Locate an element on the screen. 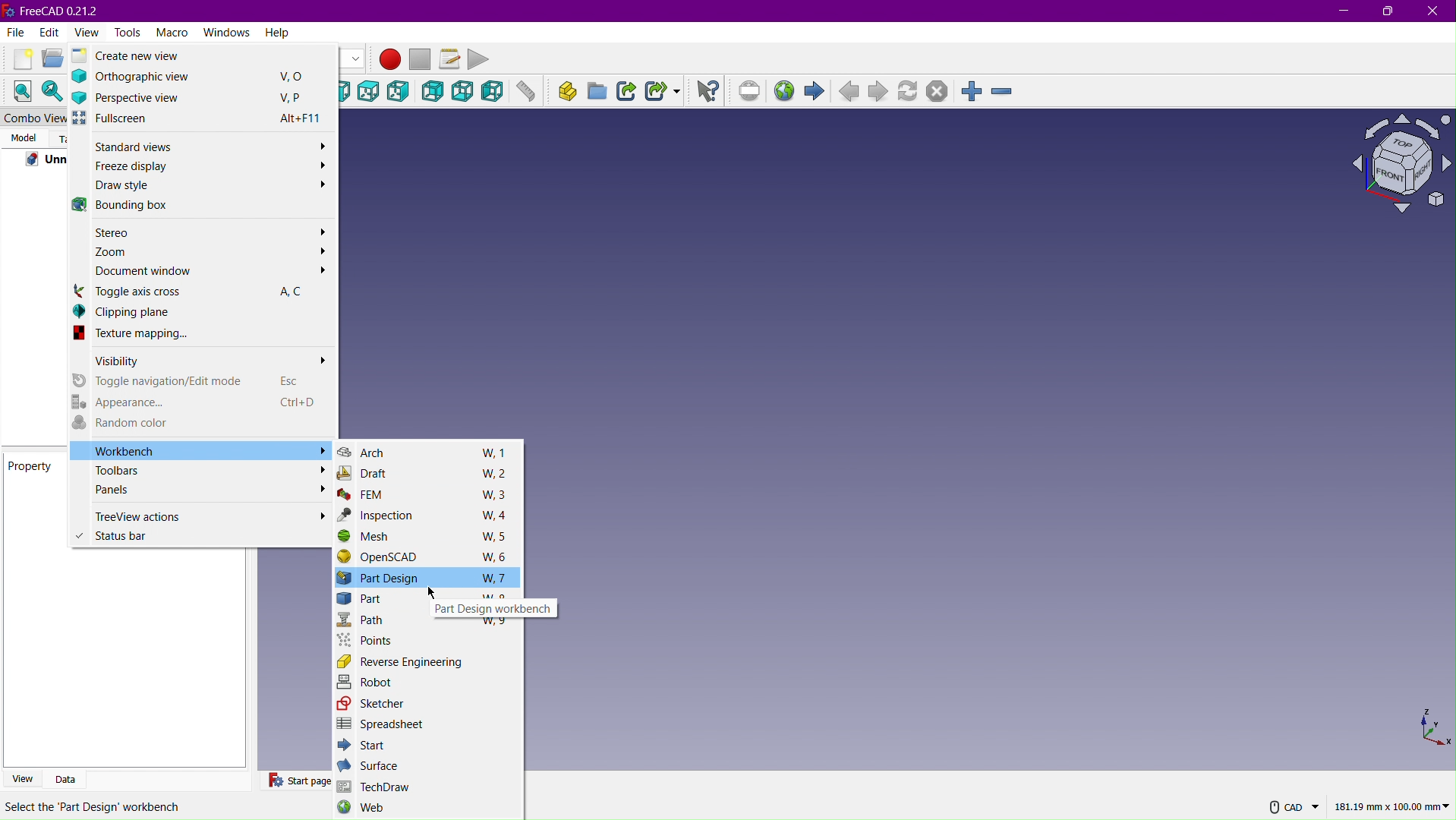  Reverse Engineering is located at coordinates (402, 663).